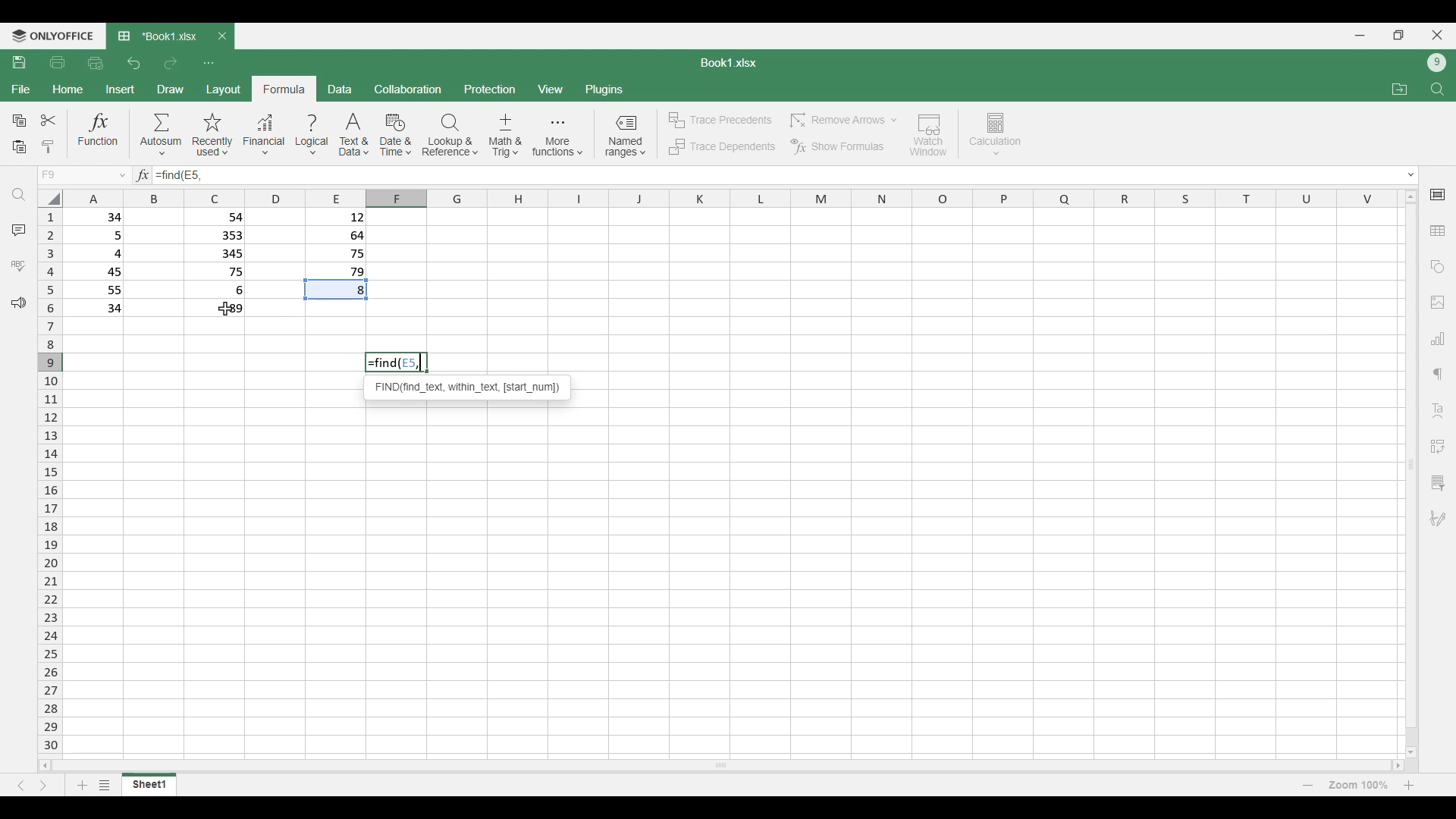 The height and width of the screenshot is (819, 1456). What do you see at coordinates (99, 133) in the screenshot?
I see `Funtion` at bounding box center [99, 133].